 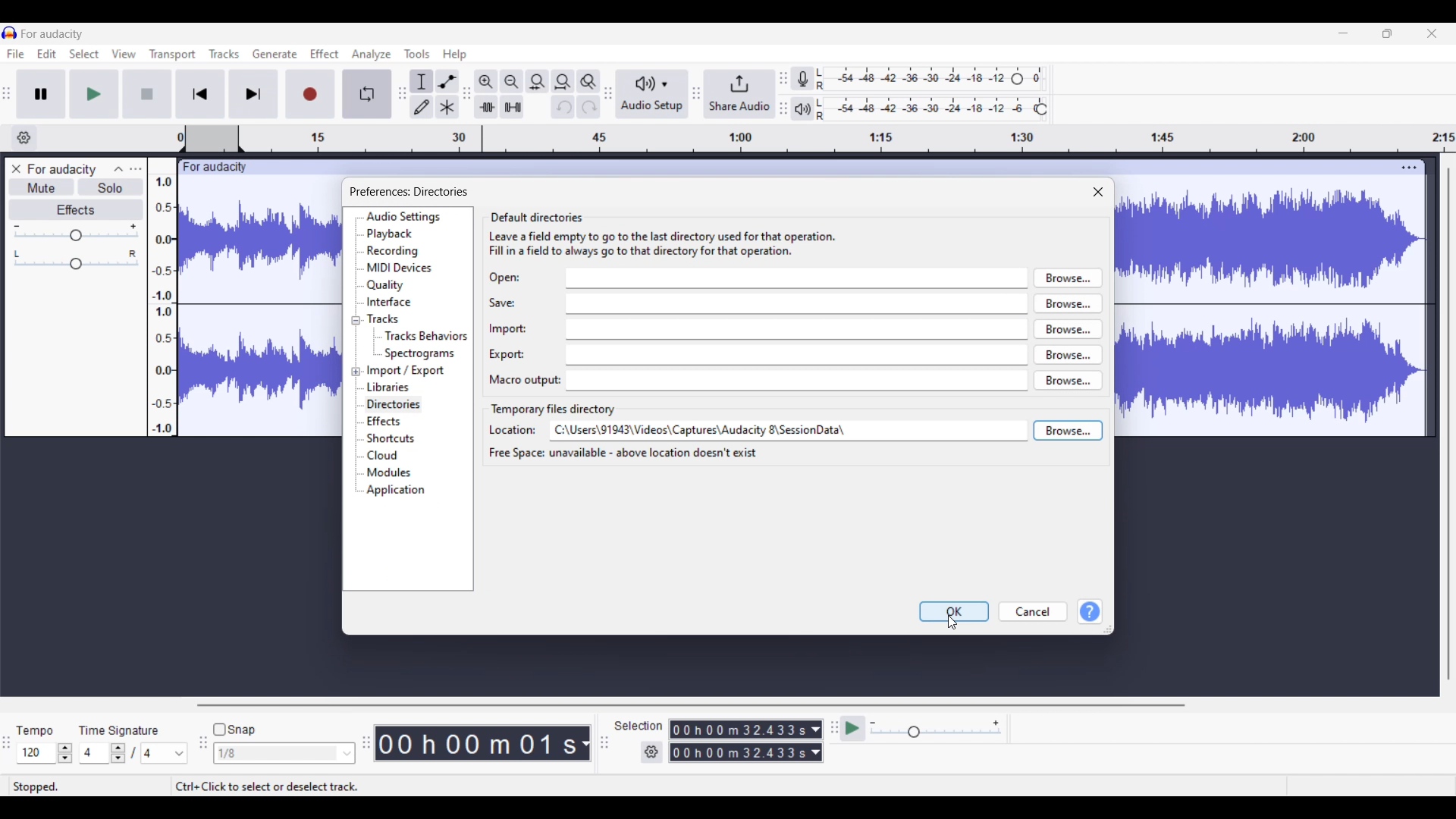 I want to click on Playback level, so click(x=924, y=109).